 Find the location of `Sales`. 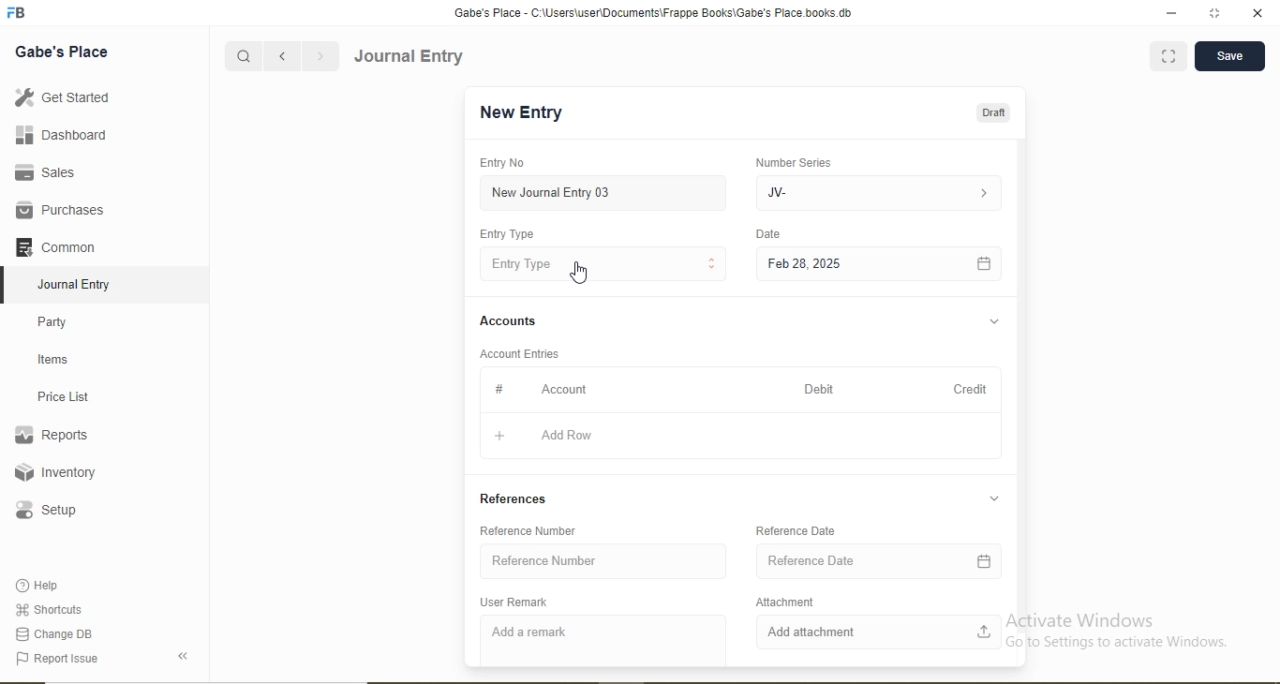

Sales is located at coordinates (42, 172).